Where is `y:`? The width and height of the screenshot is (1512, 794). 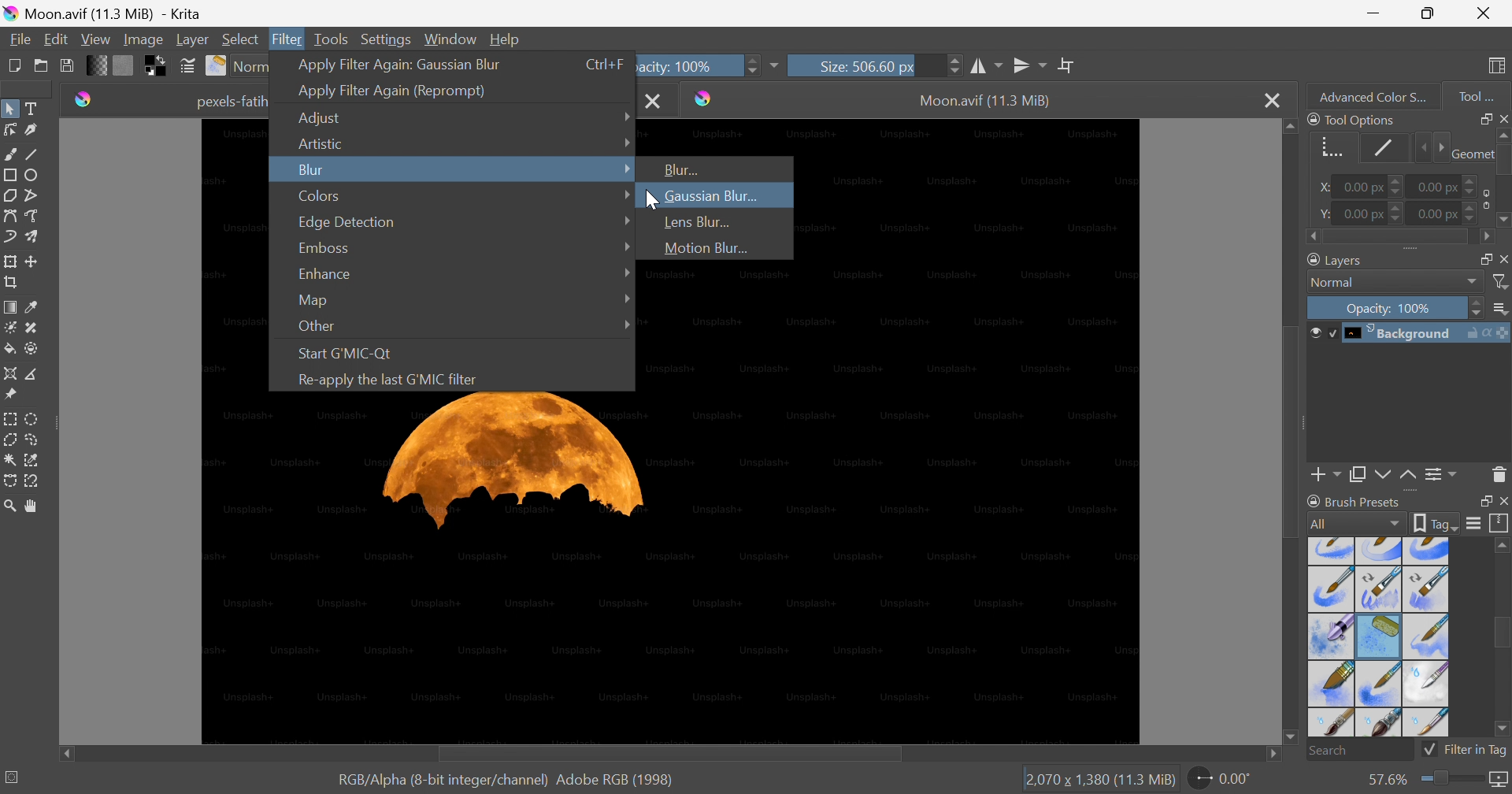 y: is located at coordinates (1323, 213).